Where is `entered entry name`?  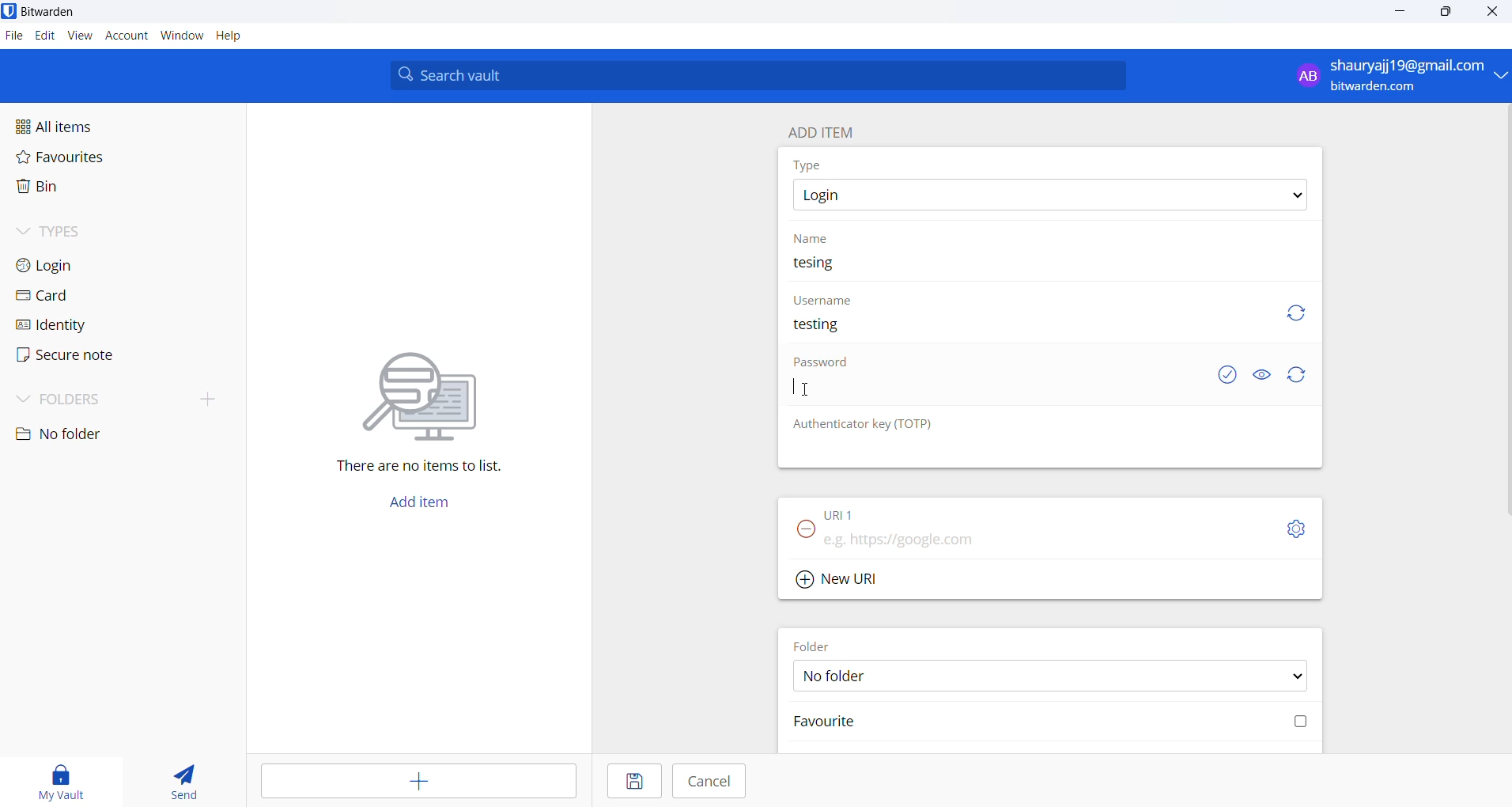 entered entry name is located at coordinates (824, 263).